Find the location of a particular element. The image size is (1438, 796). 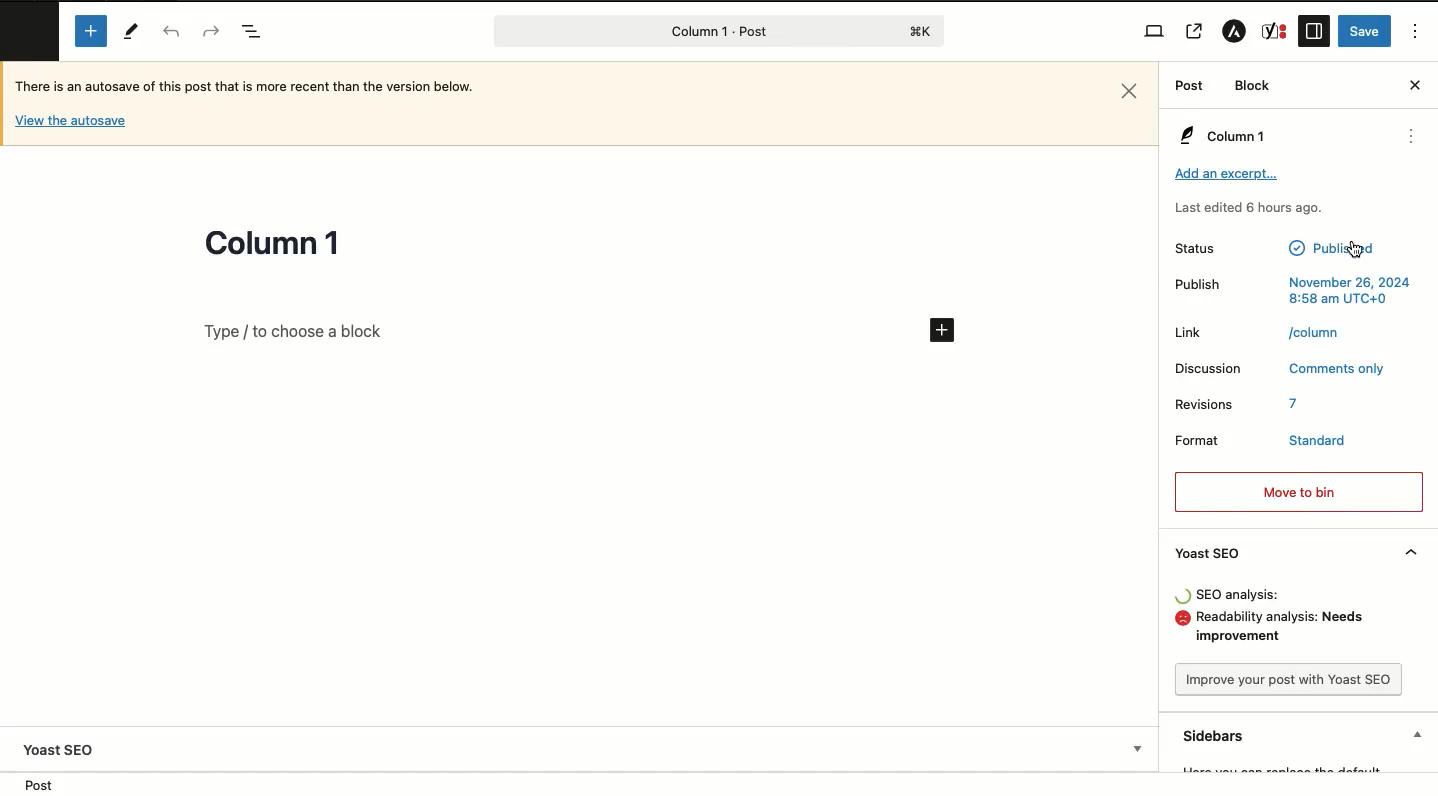

Discussion is located at coordinates (1207, 369).